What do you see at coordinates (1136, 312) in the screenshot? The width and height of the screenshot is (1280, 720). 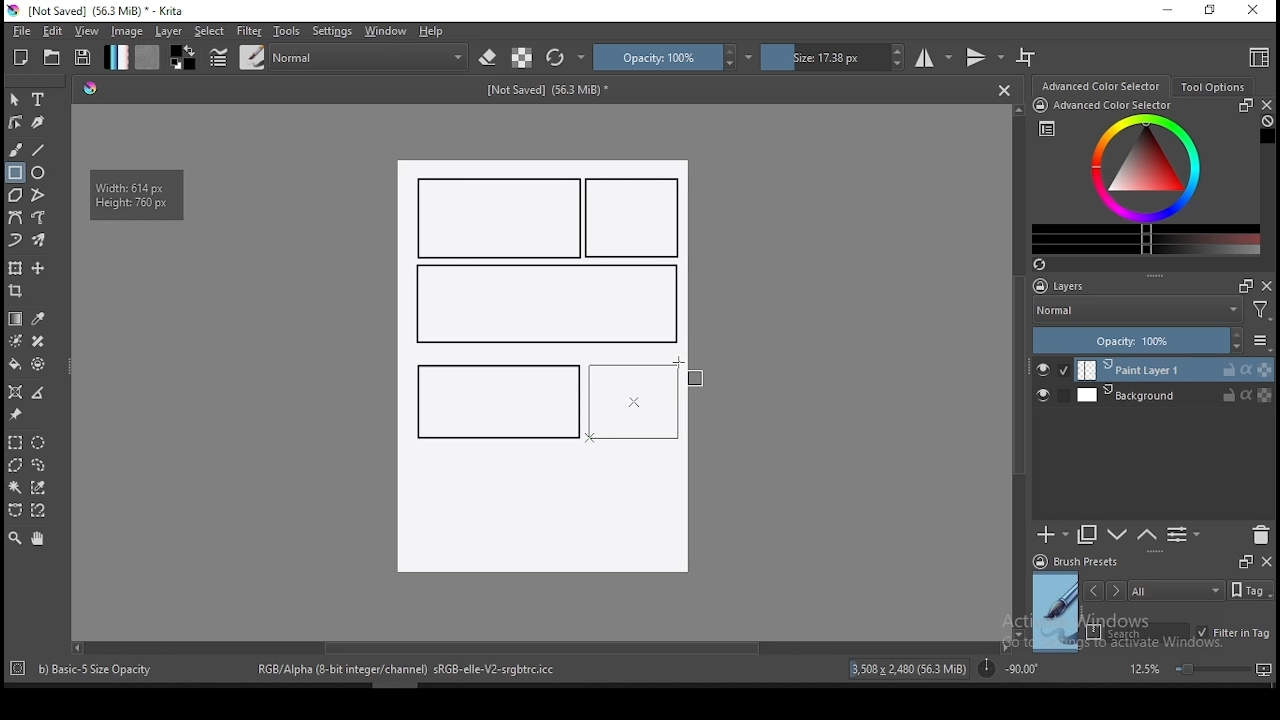 I see `blending mode` at bounding box center [1136, 312].